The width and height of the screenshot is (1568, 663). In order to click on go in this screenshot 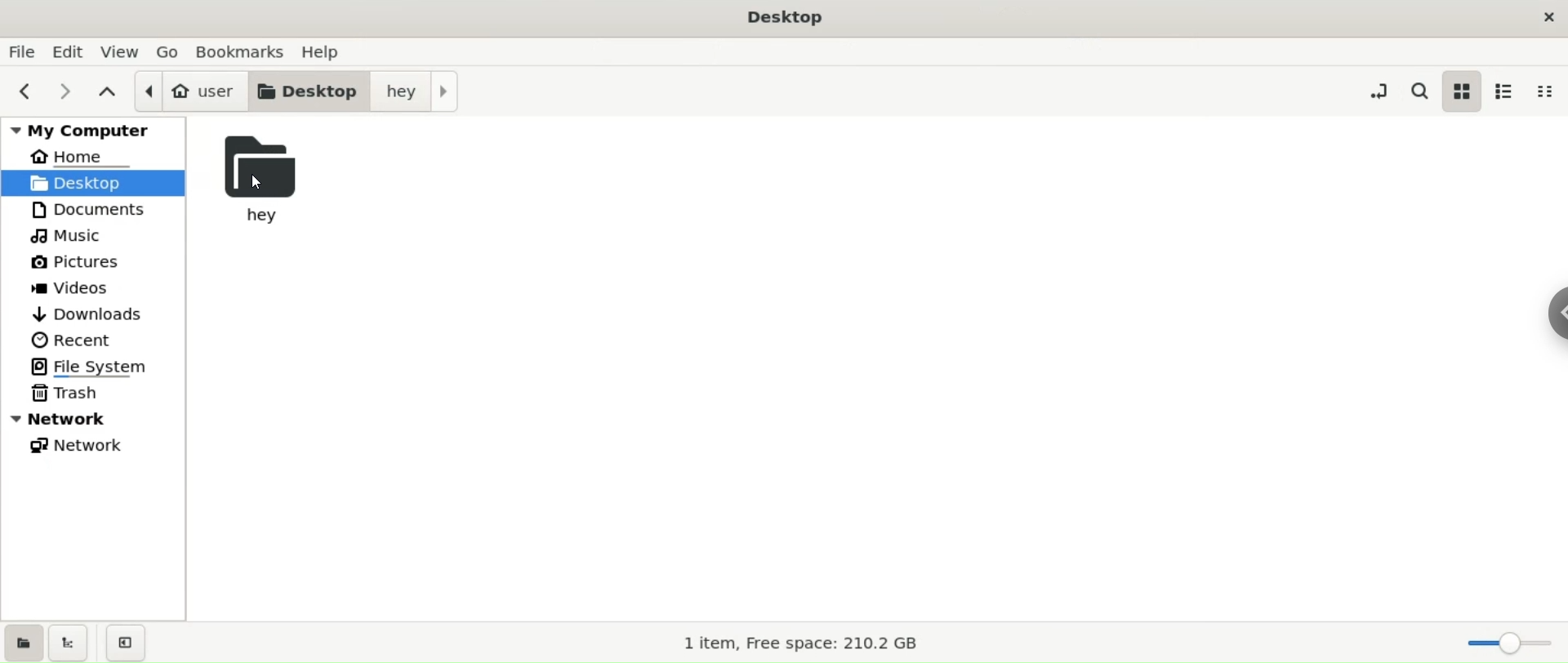, I will do `click(169, 54)`.